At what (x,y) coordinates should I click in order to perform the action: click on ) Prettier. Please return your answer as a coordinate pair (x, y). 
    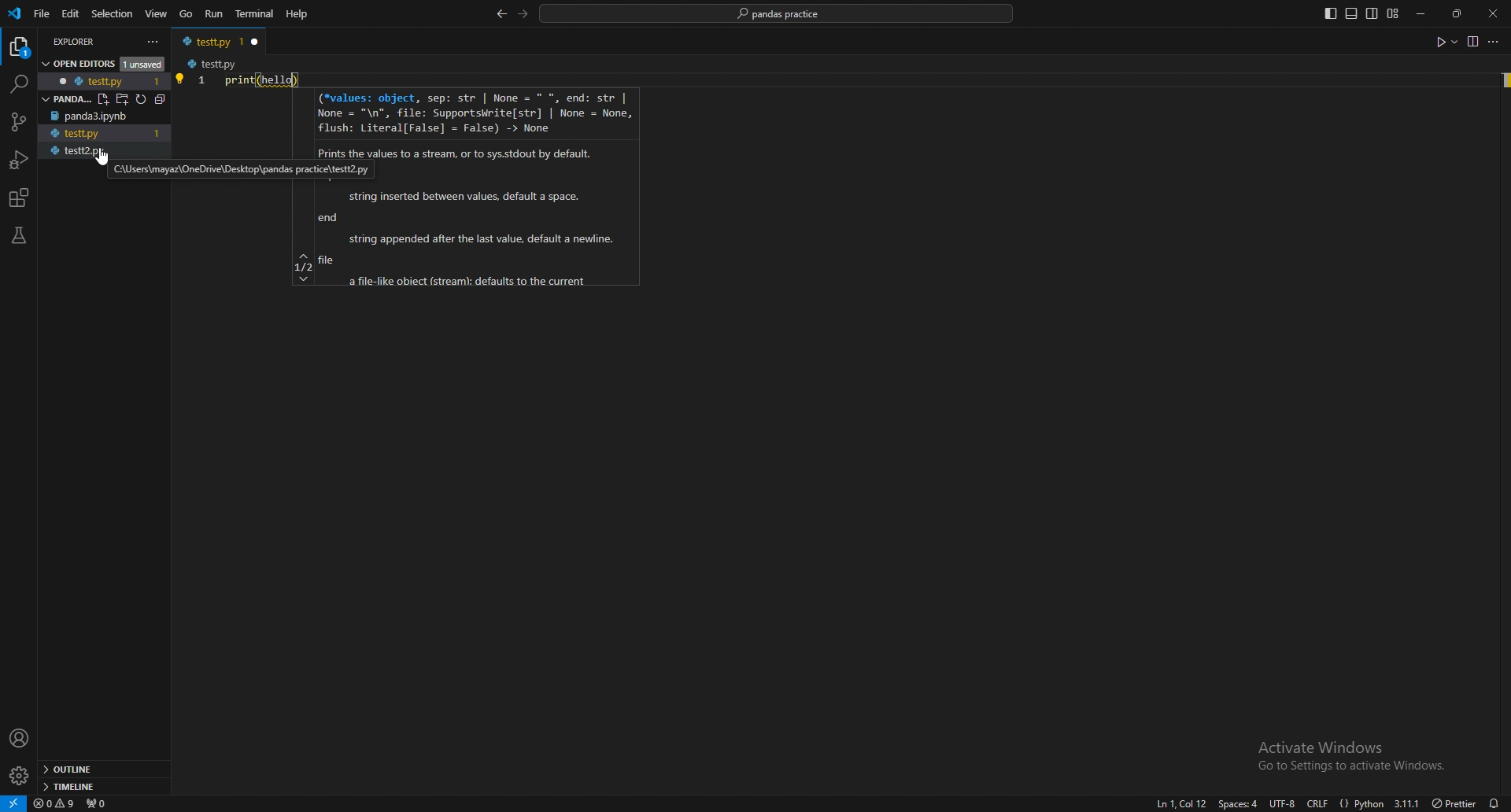
    Looking at the image, I should click on (1454, 802).